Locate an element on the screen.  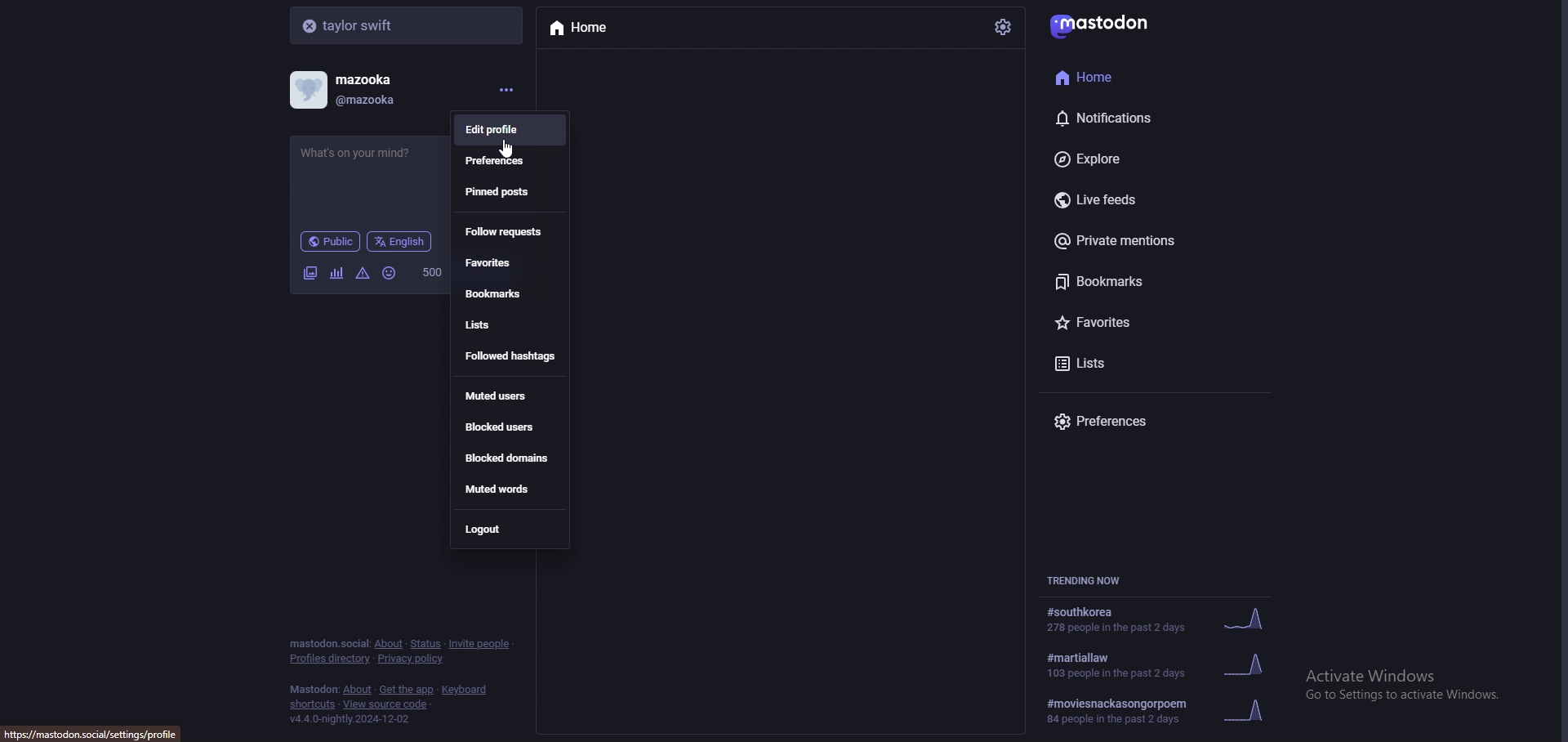
home is located at coordinates (1129, 77).